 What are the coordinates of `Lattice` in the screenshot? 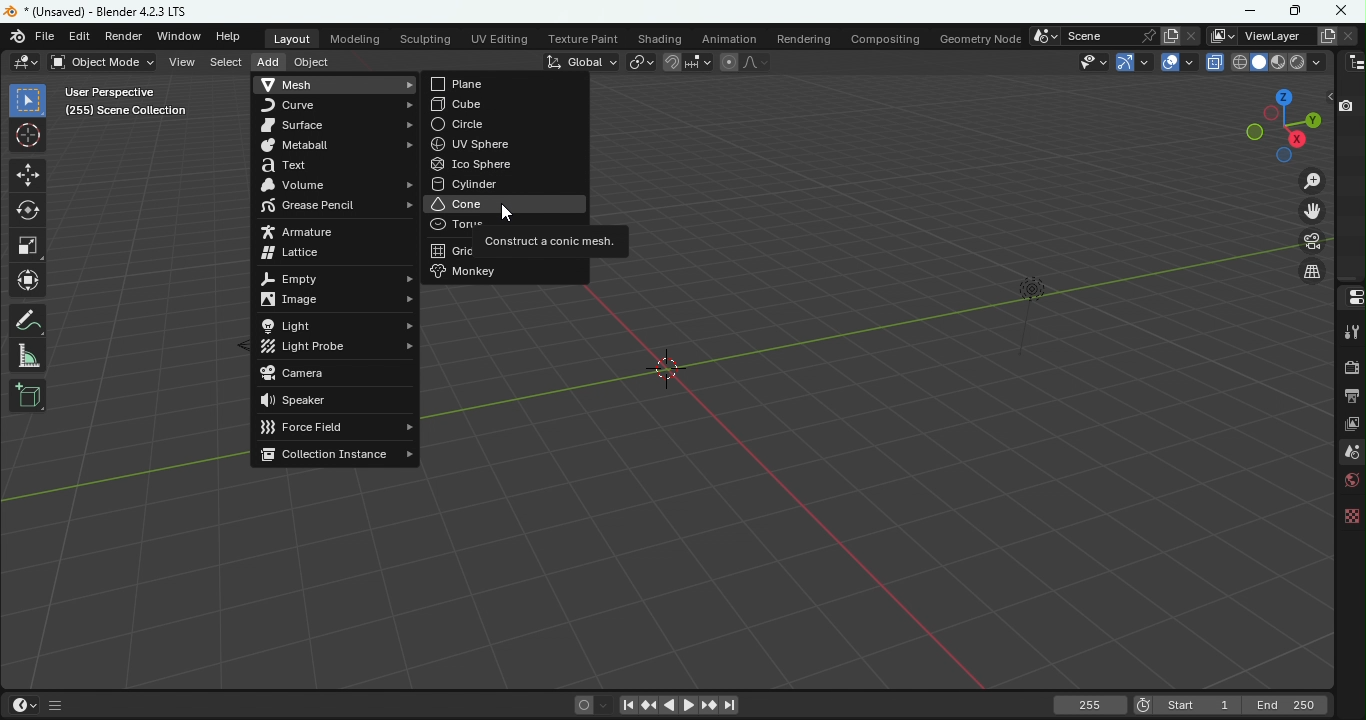 It's located at (336, 254).